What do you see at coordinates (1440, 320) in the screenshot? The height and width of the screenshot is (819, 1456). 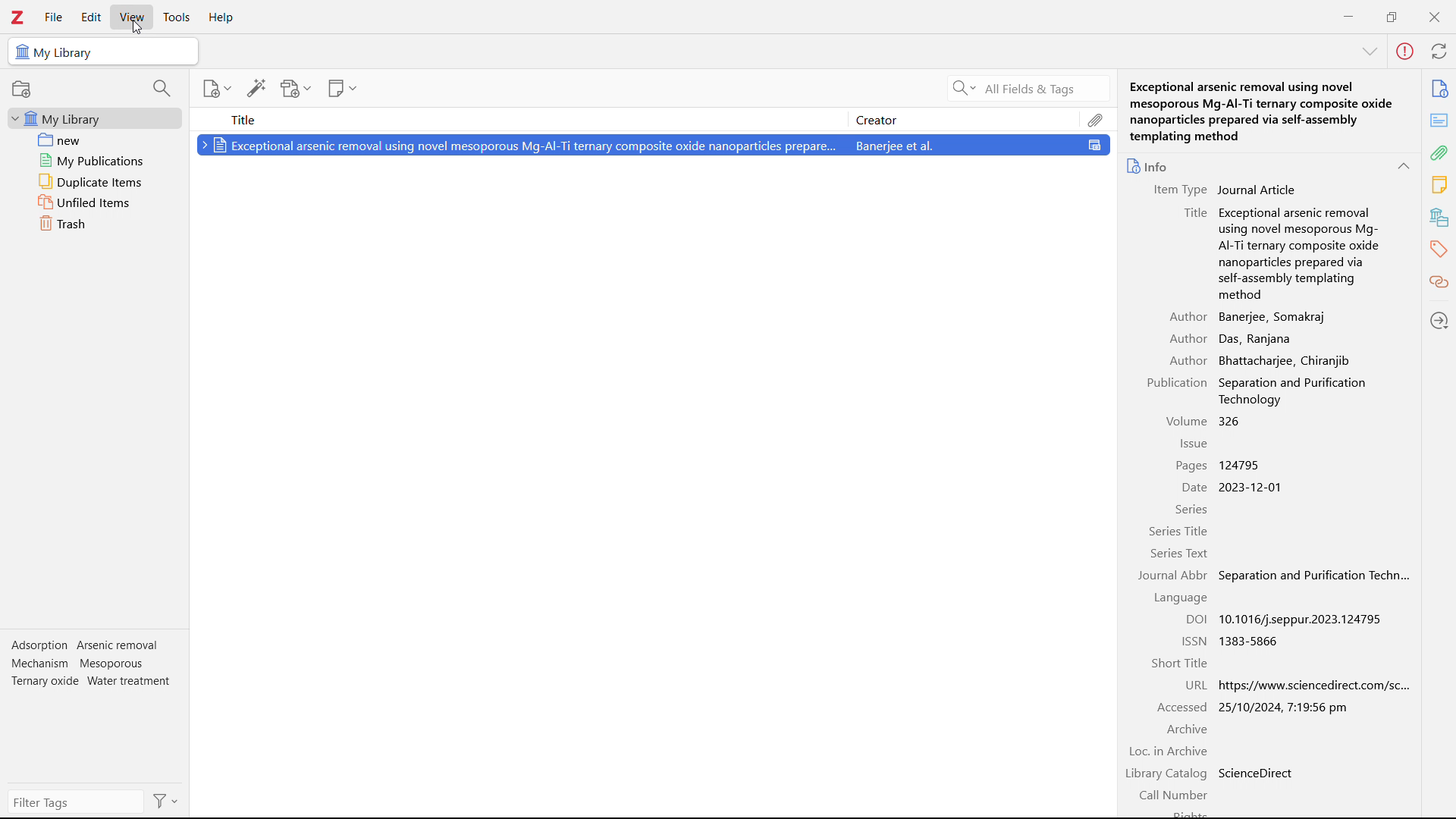 I see `locate` at bounding box center [1440, 320].